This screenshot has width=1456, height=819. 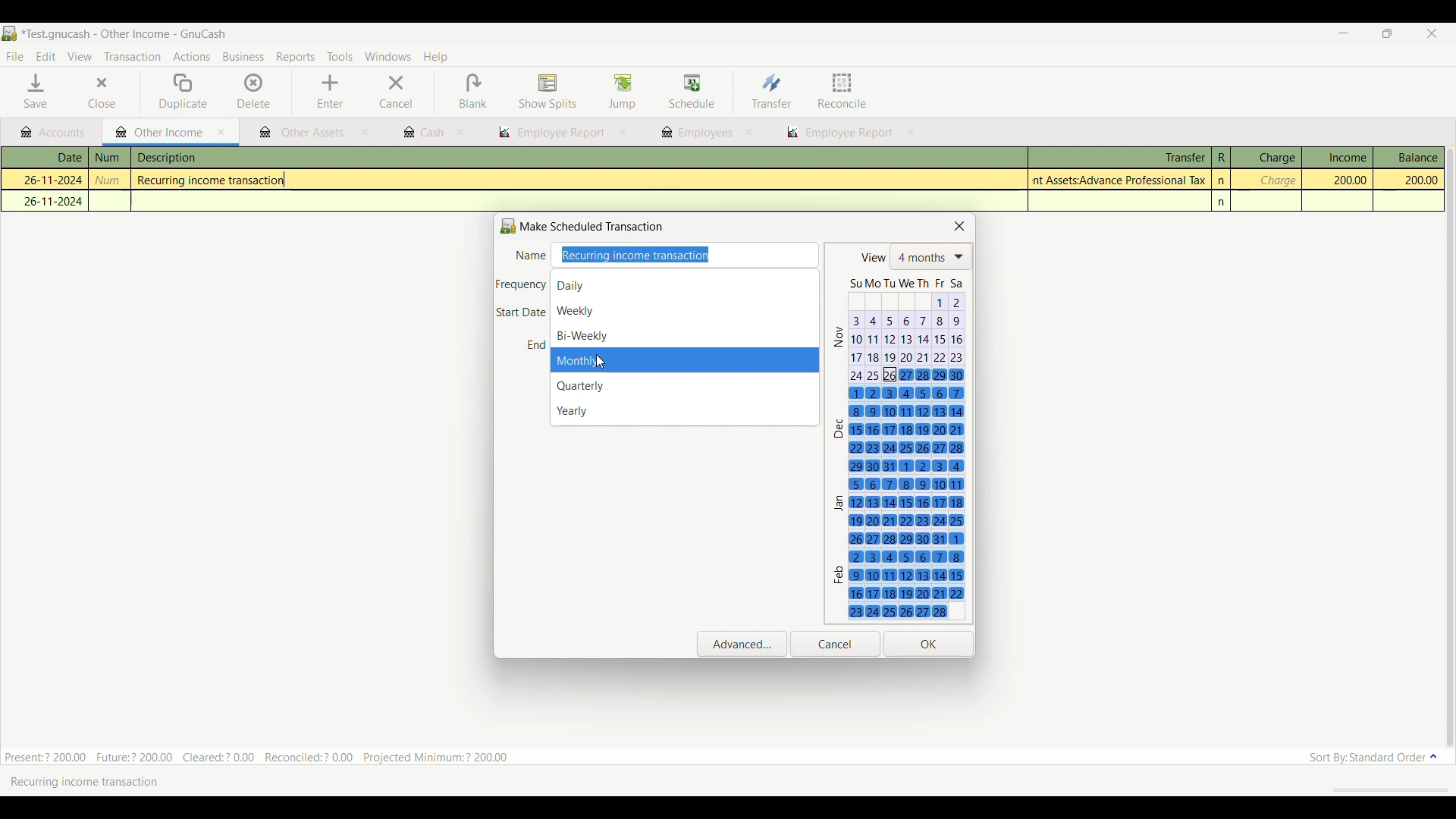 What do you see at coordinates (586, 226) in the screenshot?
I see `Make Scheduled Transaction` at bounding box center [586, 226].